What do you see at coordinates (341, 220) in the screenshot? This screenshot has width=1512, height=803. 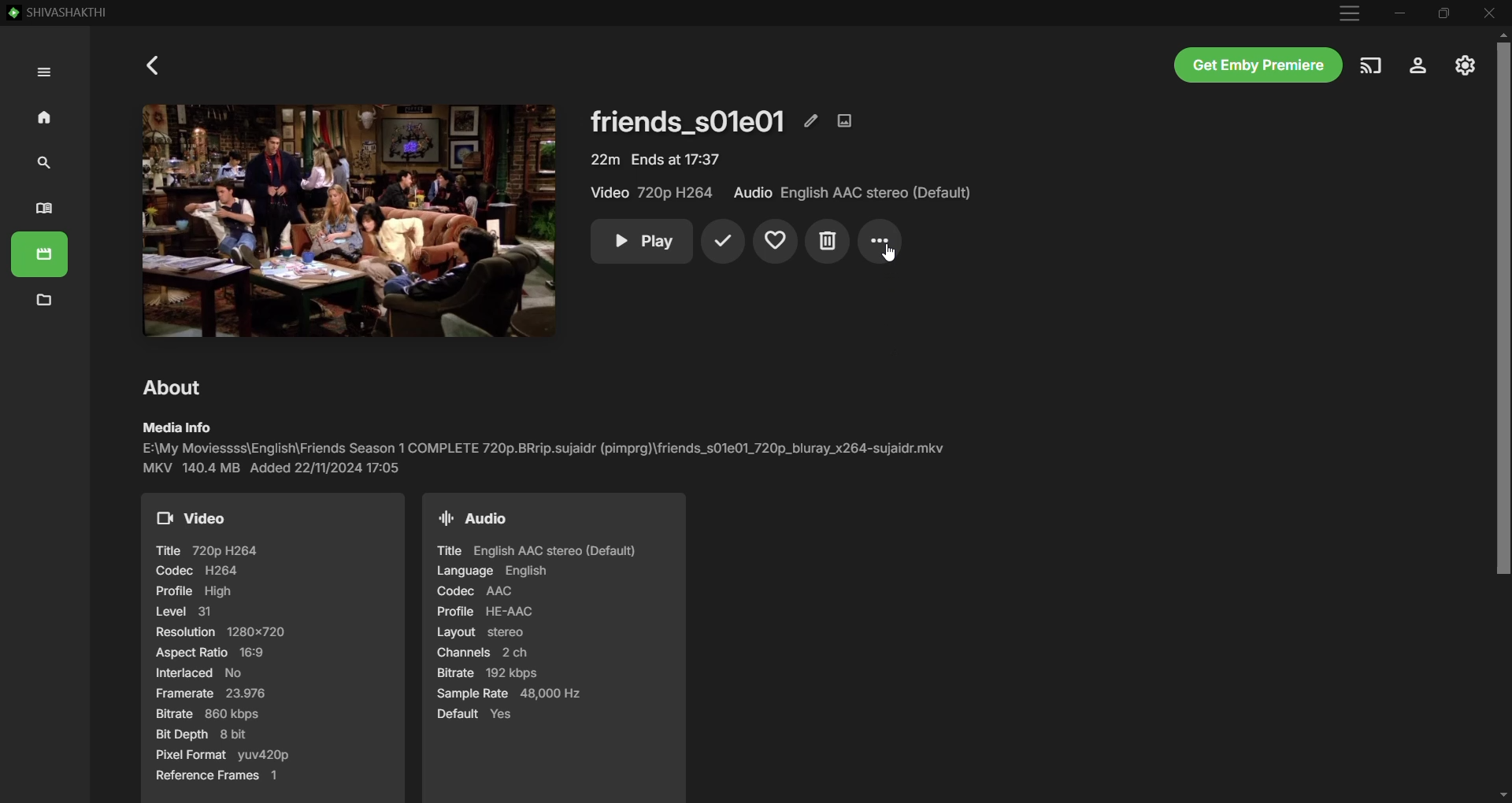 I see `Selected TV episode image - Click to Play video` at bounding box center [341, 220].